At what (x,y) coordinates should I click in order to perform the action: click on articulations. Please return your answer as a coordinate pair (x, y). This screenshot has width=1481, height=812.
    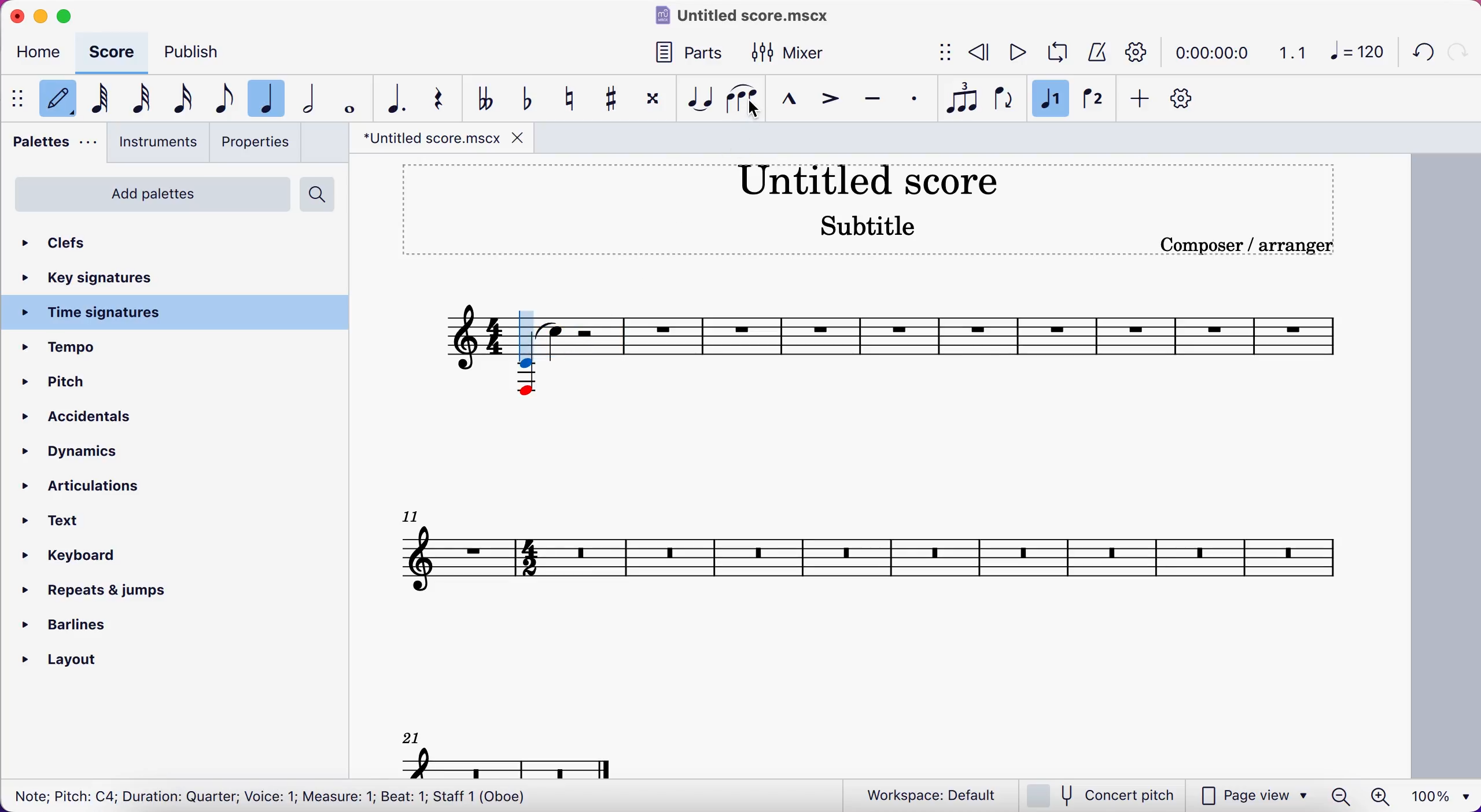
    Looking at the image, I should click on (106, 488).